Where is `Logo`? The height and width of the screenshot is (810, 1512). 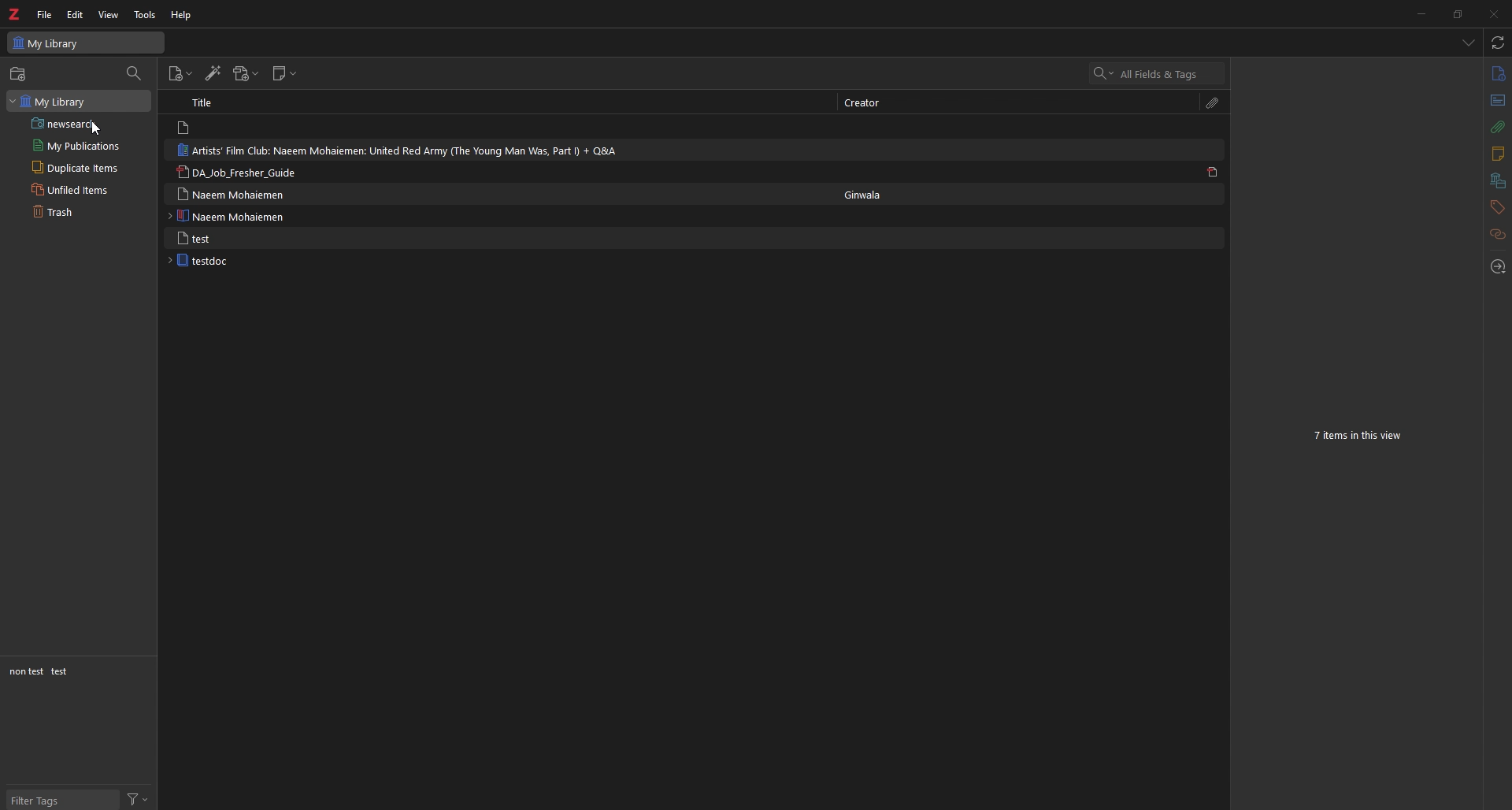
Logo is located at coordinates (17, 15).